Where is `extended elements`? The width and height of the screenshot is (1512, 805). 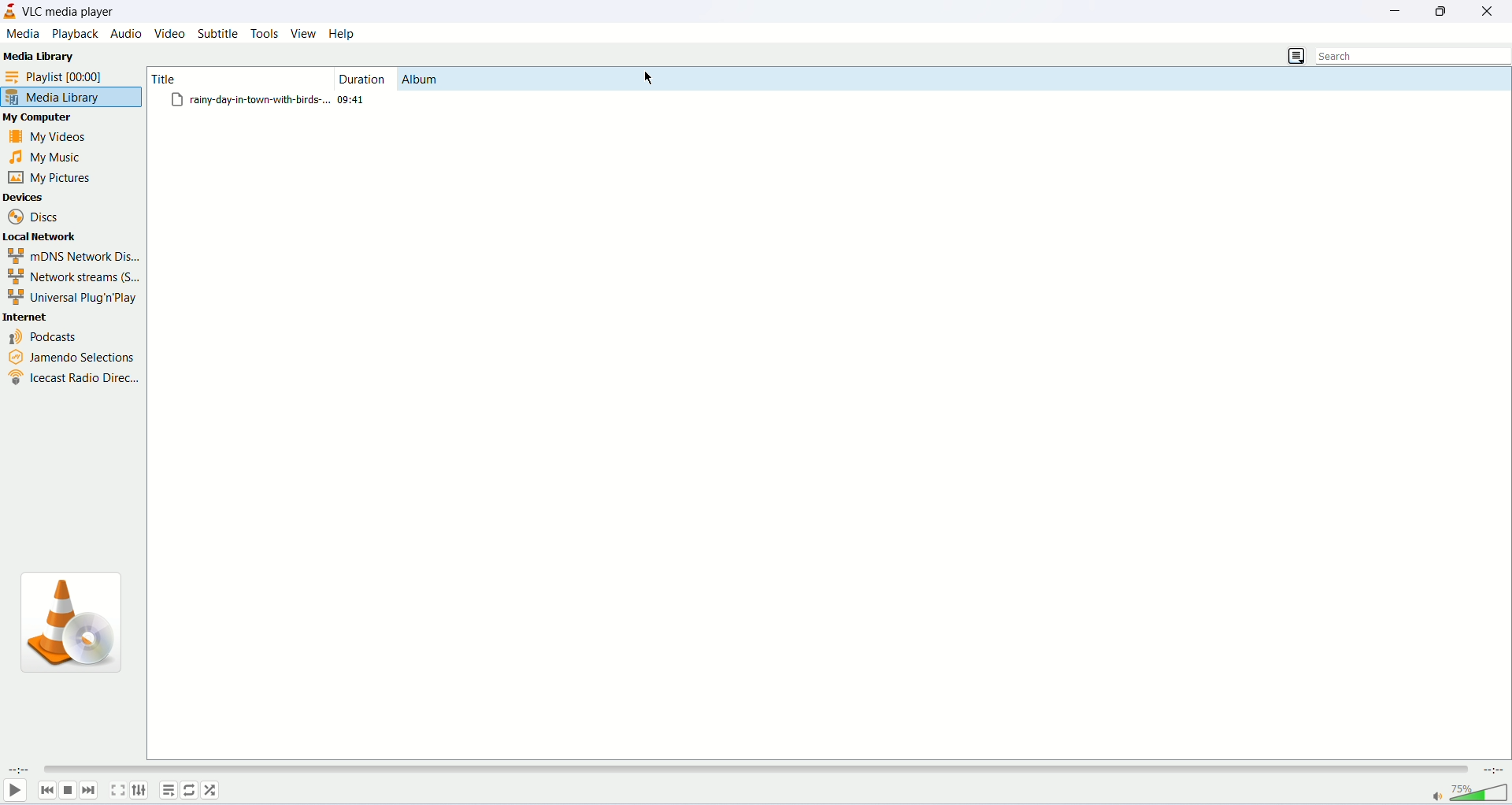 extended elements is located at coordinates (140, 791).